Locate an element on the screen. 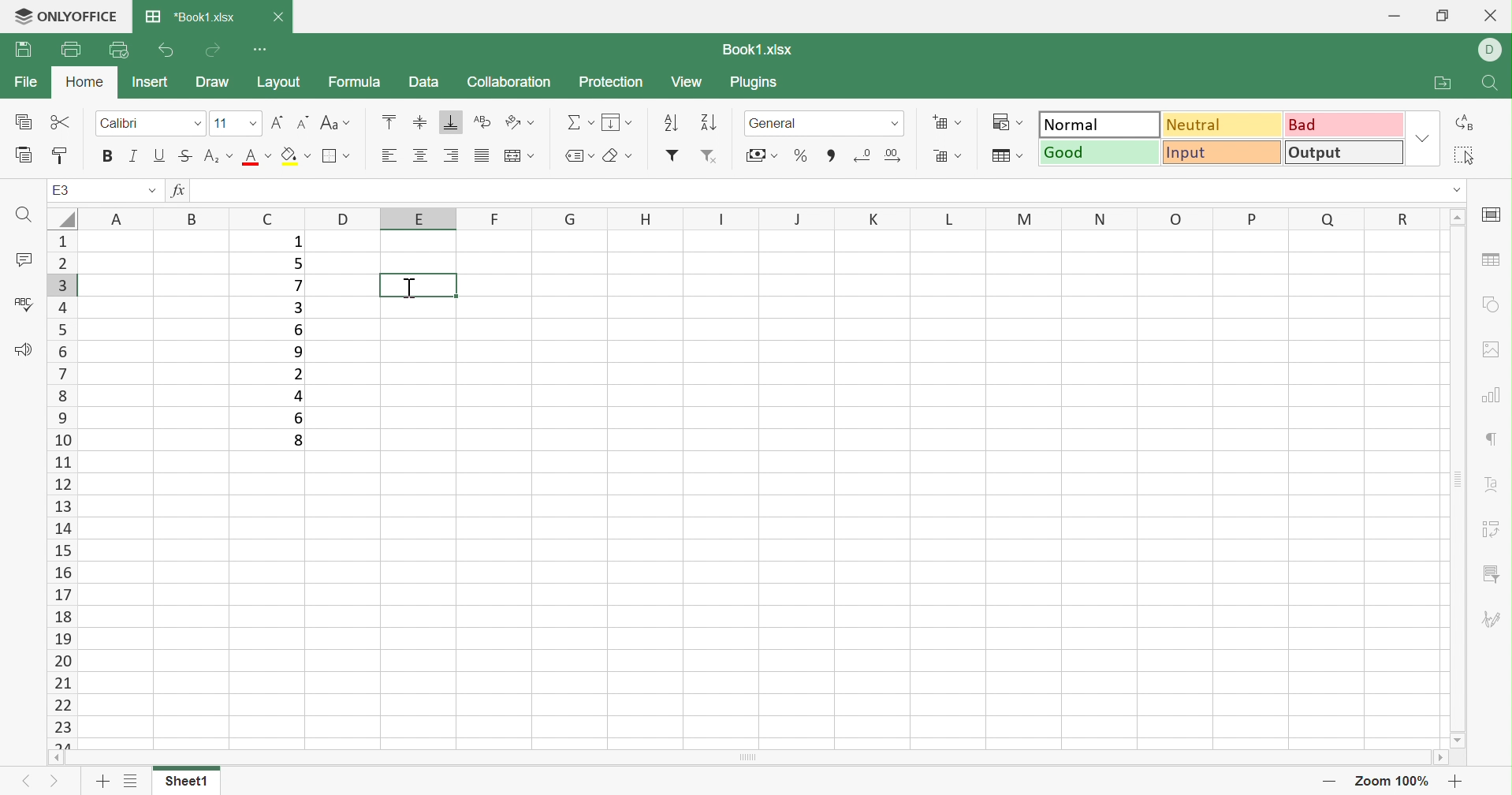  Borders is located at coordinates (335, 155).